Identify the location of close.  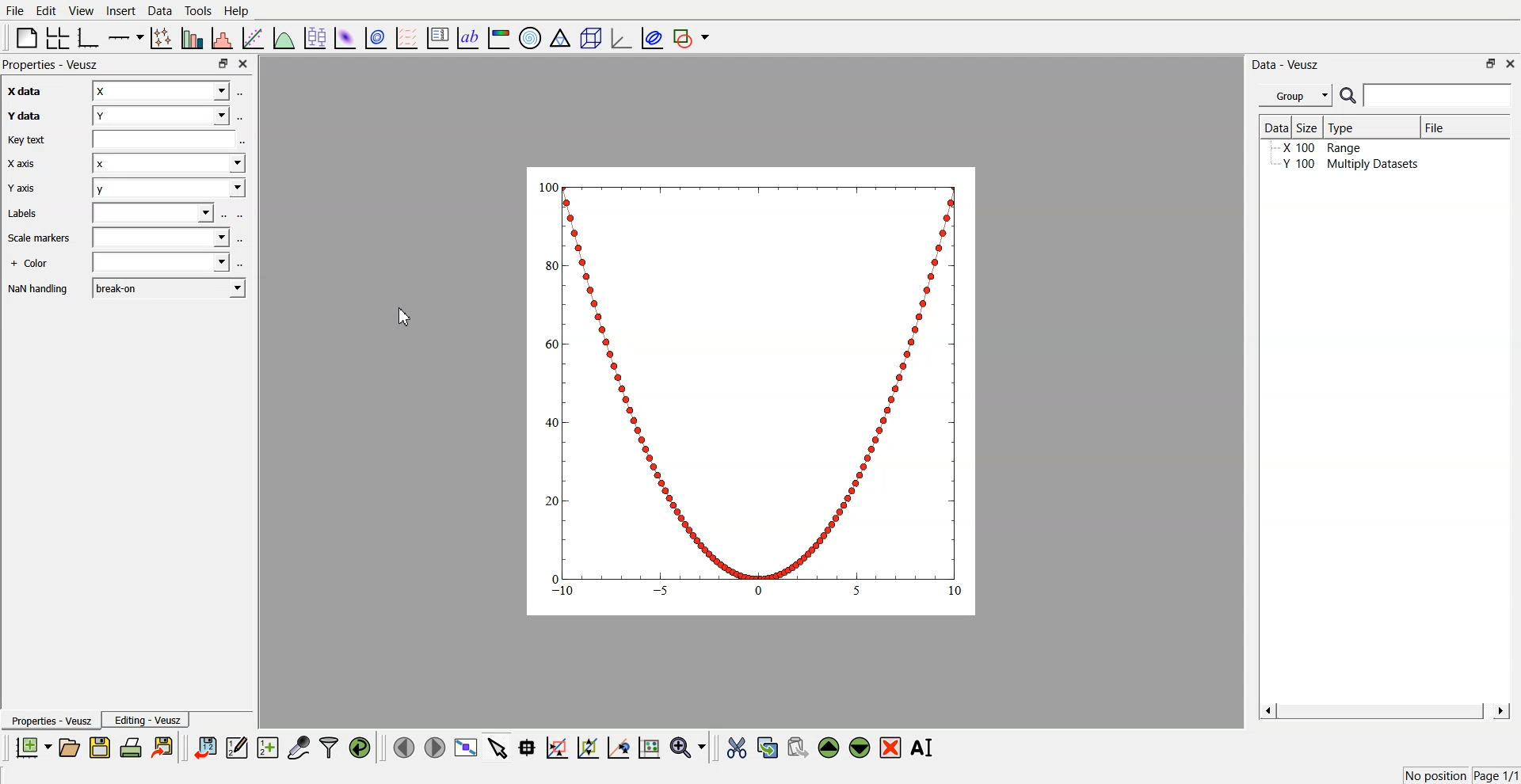
(244, 64).